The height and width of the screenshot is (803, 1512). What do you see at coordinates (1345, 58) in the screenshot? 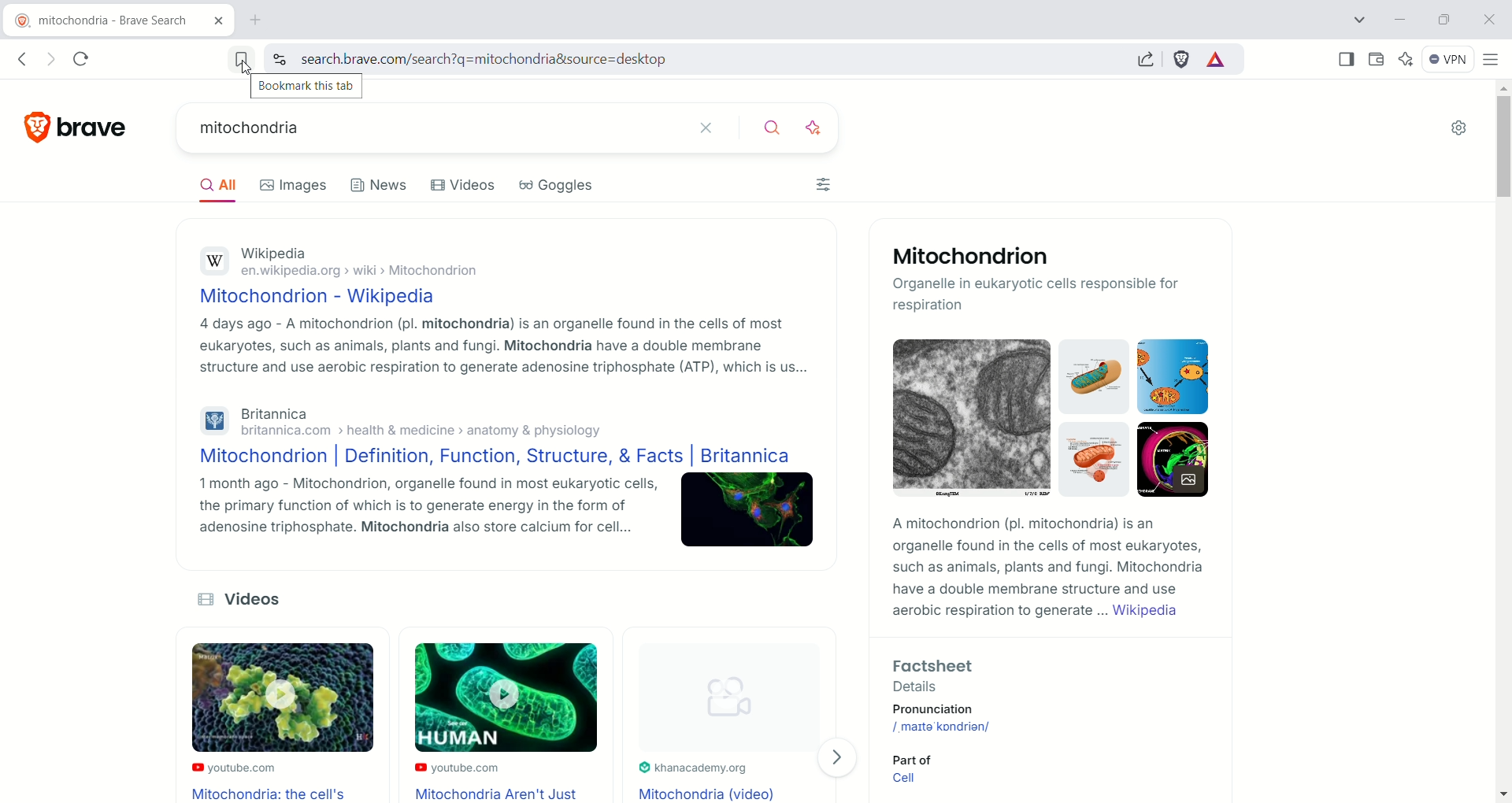
I see `show sidebar` at bounding box center [1345, 58].